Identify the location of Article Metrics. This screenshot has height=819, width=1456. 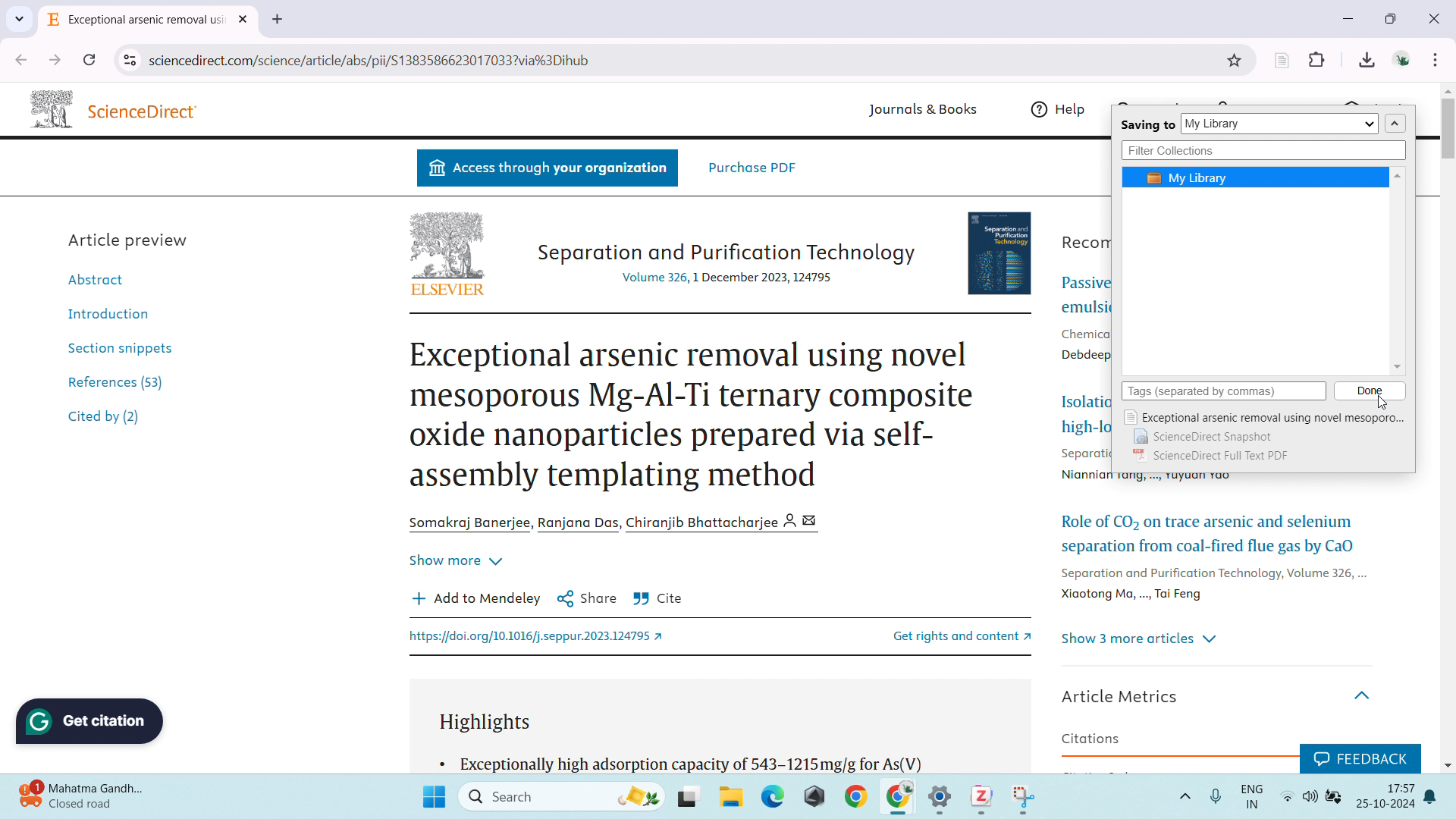
(1125, 695).